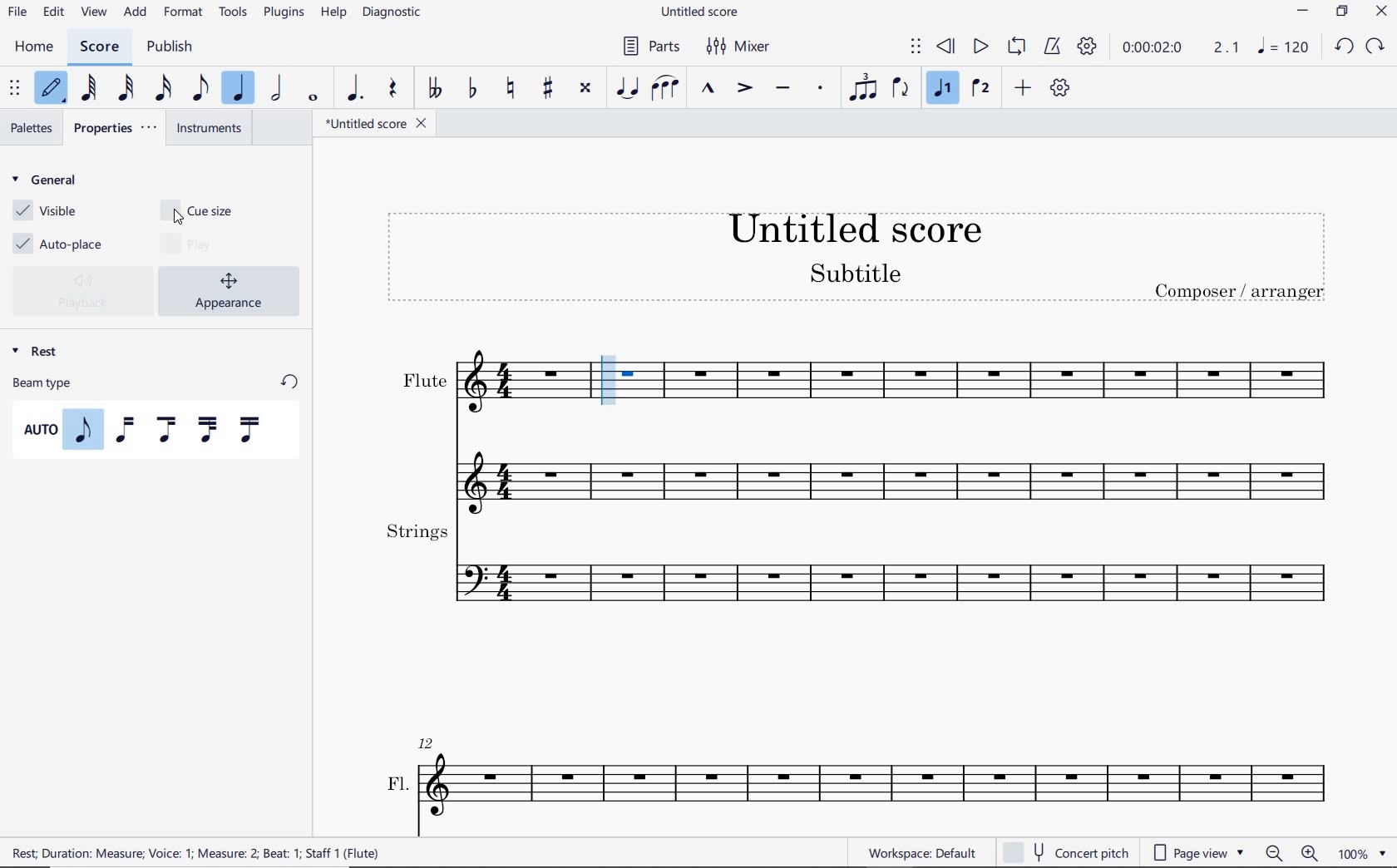 Image resolution: width=1397 pixels, height=868 pixels. Describe the element at coordinates (942, 88) in the screenshot. I see `VOICE 1` at that location.